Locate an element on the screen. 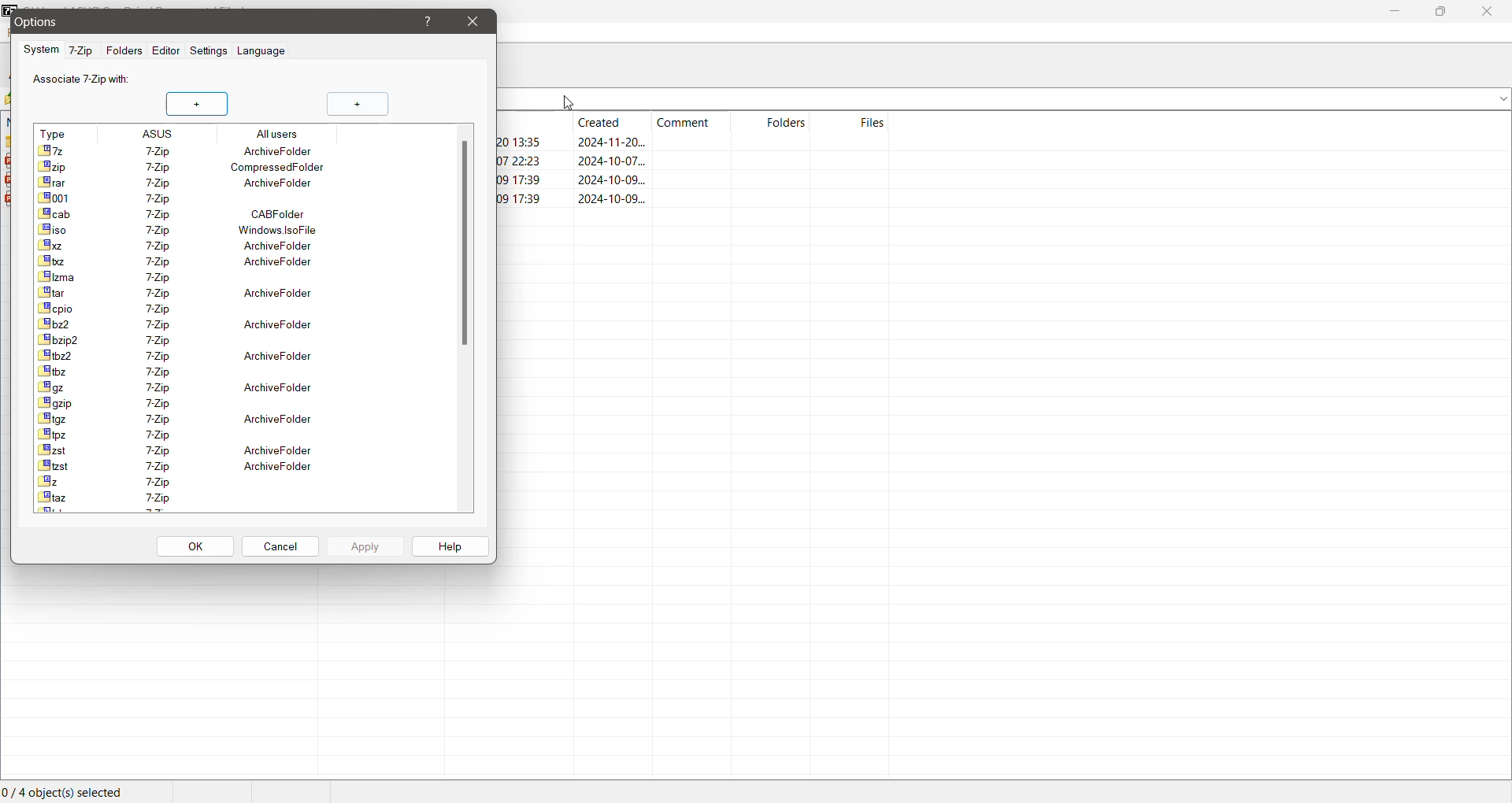 The width and height of the screenshot is (1512, 803). Close is located at coordinates (473, 21).